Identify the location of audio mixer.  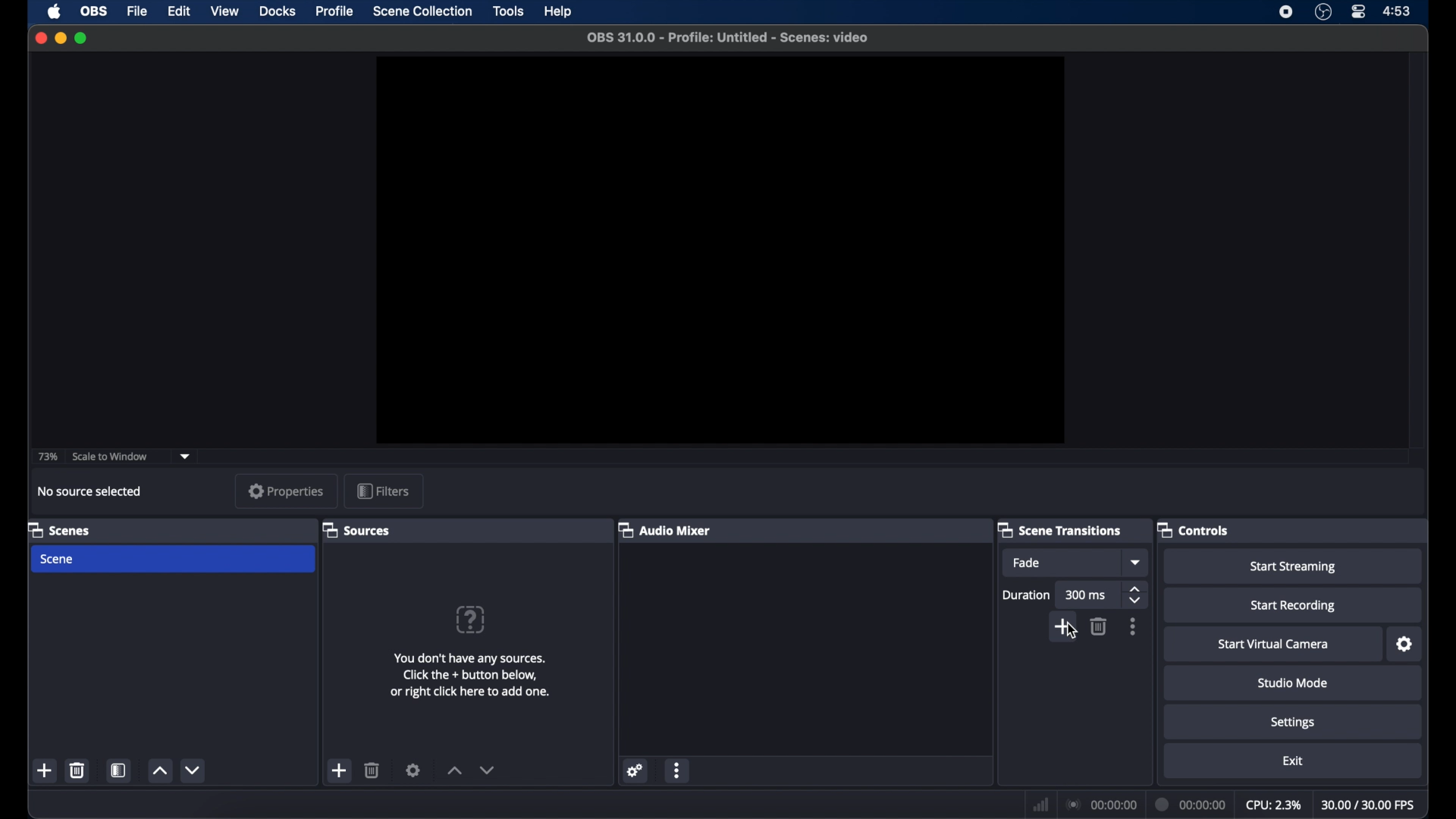
(665, 531).